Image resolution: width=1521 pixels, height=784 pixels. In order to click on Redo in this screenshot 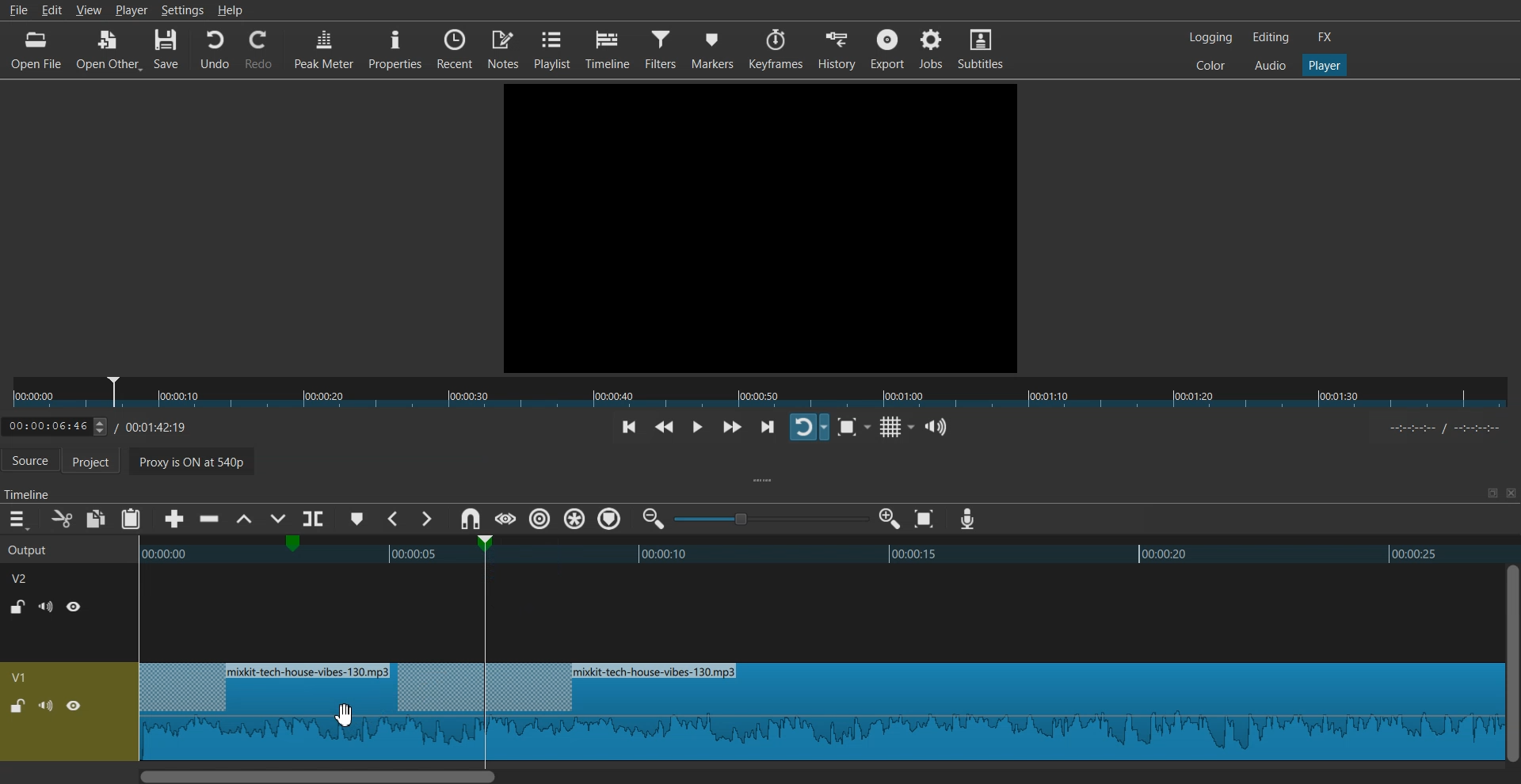, I will do `click(259, 50)`.